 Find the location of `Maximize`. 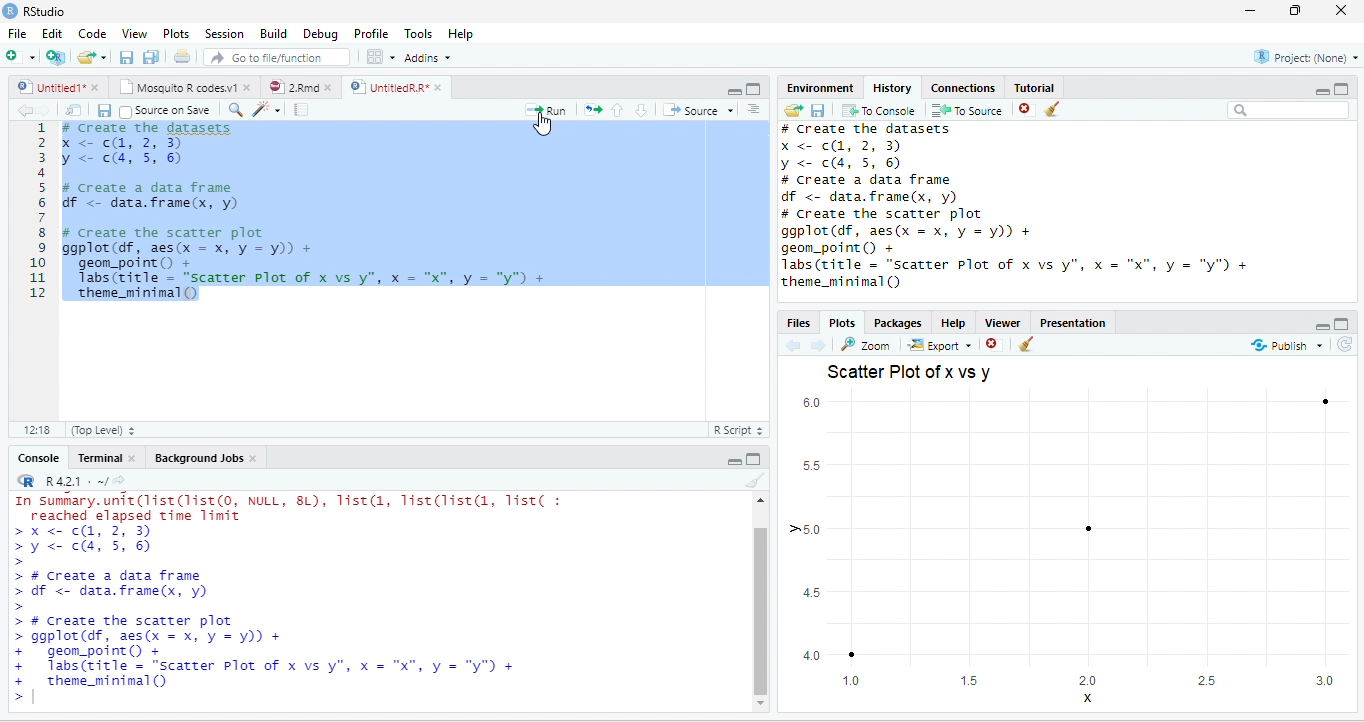

Maximize is located at coordinates (755, 89).